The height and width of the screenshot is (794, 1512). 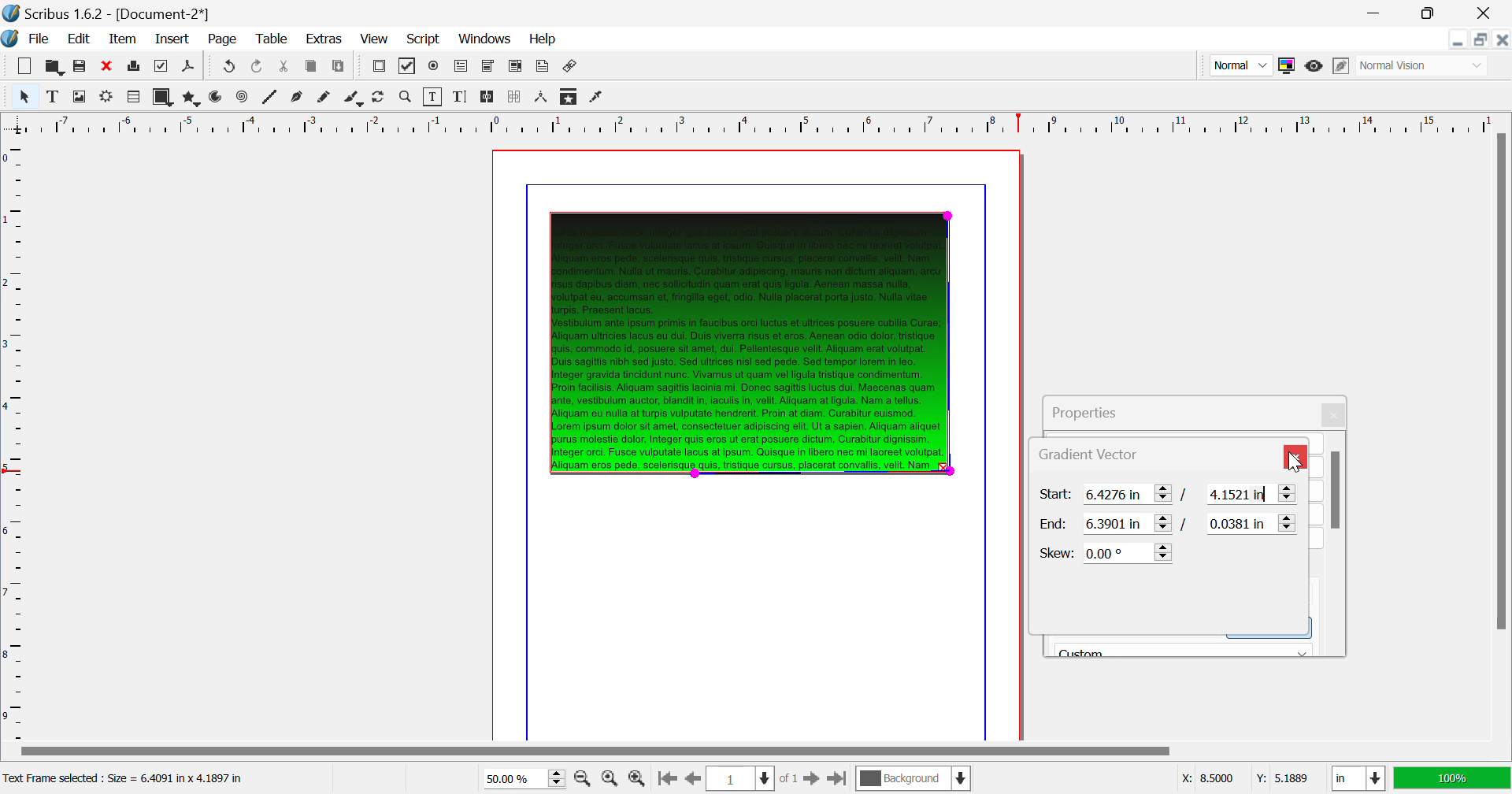 I want to click on Render Frame, so click(x=106, y=98).